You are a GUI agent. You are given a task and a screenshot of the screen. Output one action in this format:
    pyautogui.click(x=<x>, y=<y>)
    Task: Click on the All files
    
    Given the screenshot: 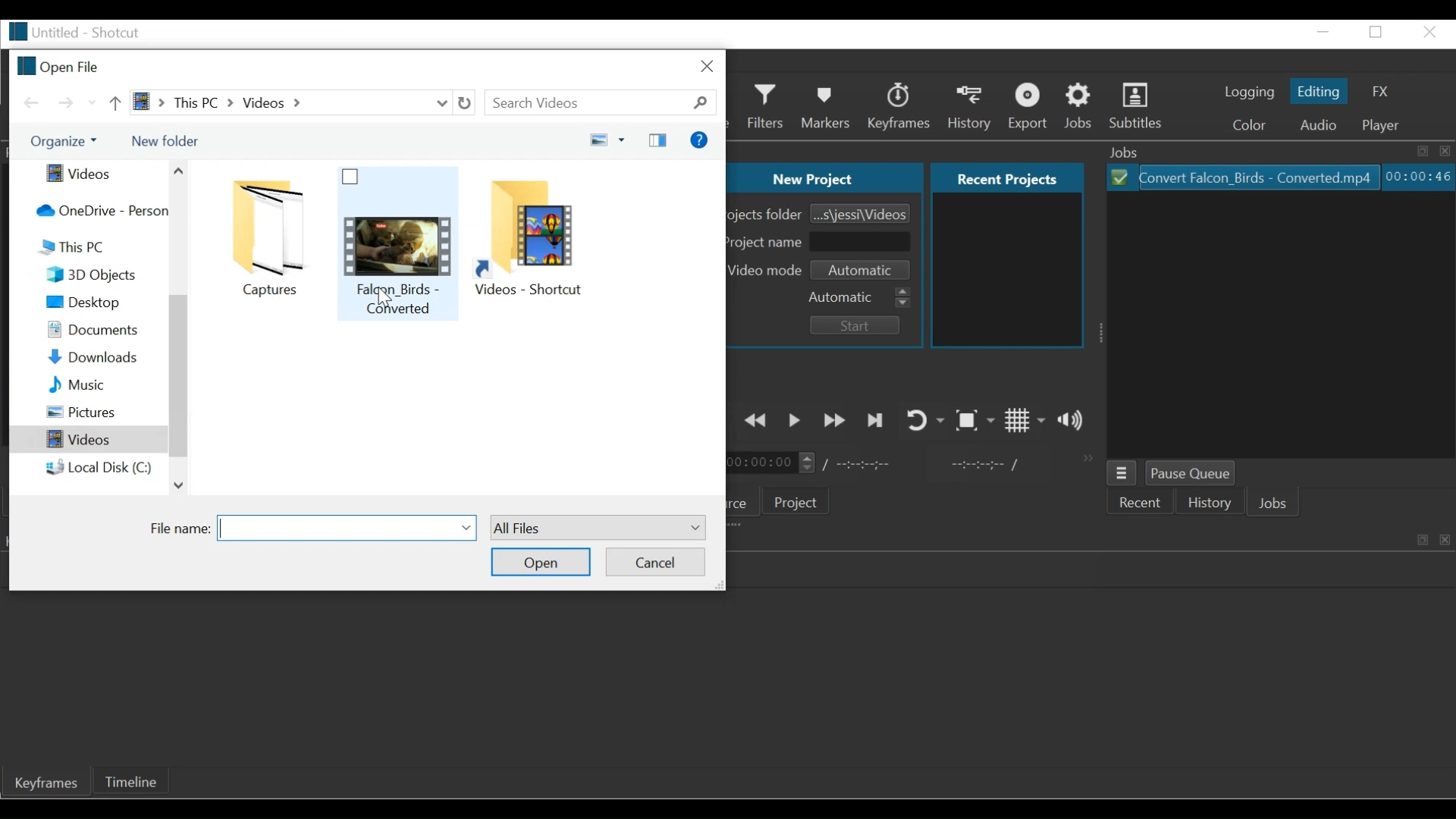 What is the action you would take?
    pyautogui.click(x=598, y=528)
    